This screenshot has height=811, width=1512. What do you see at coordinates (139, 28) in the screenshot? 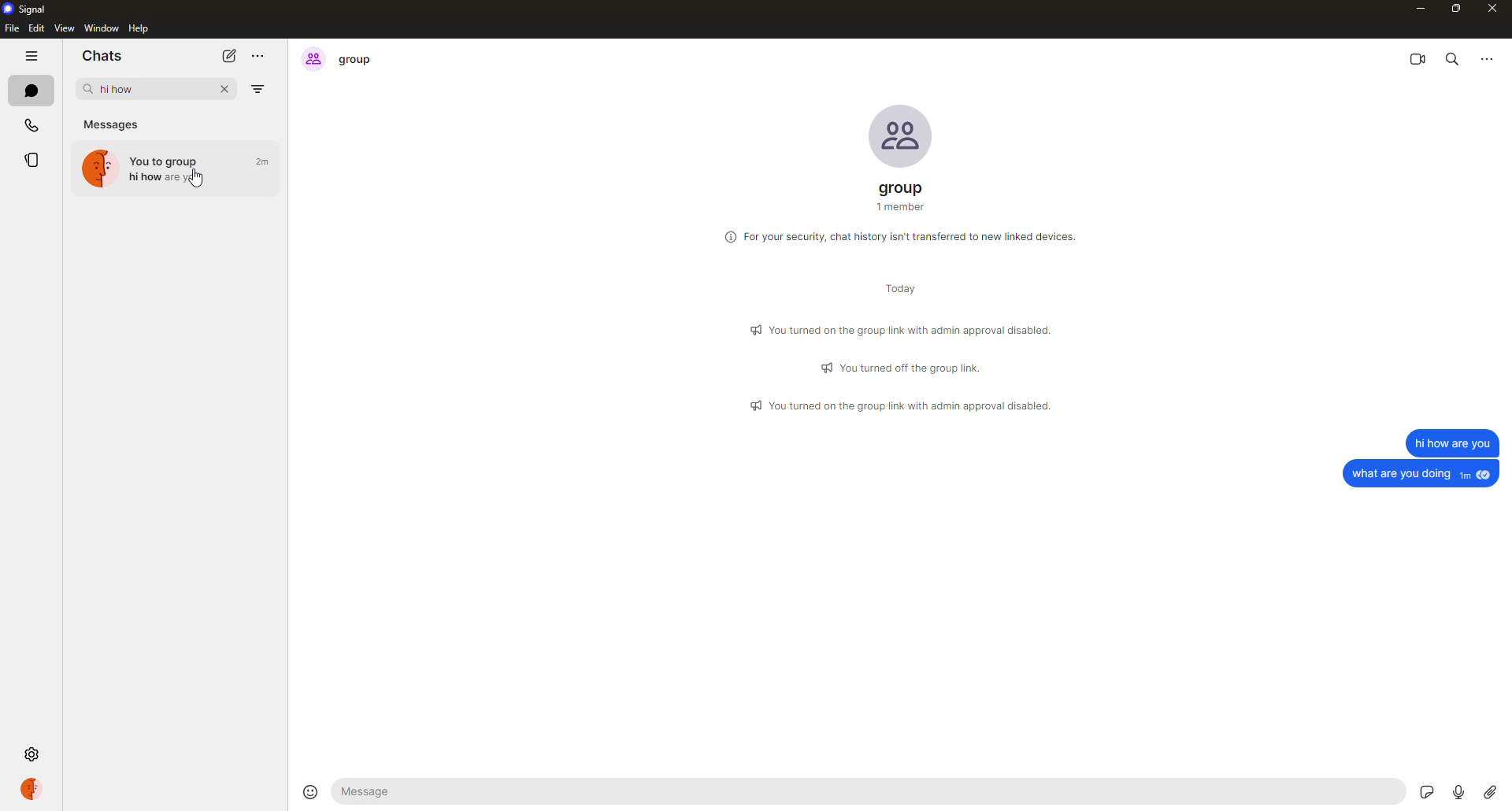
I see `help` at bounding box center [139, 28].